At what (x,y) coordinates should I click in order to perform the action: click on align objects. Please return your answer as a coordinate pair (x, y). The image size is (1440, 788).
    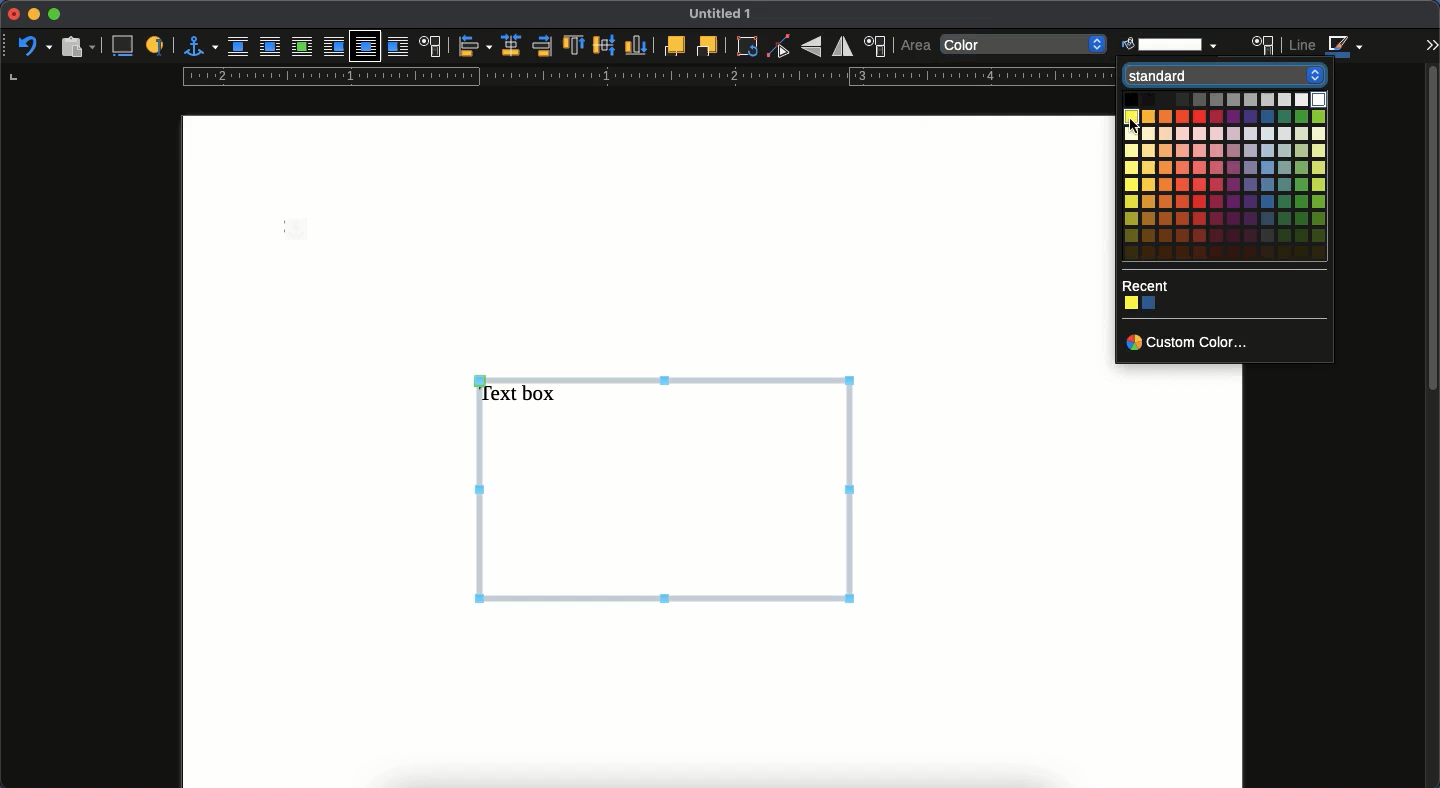
    Looking at the image, I should click on (474, 47).